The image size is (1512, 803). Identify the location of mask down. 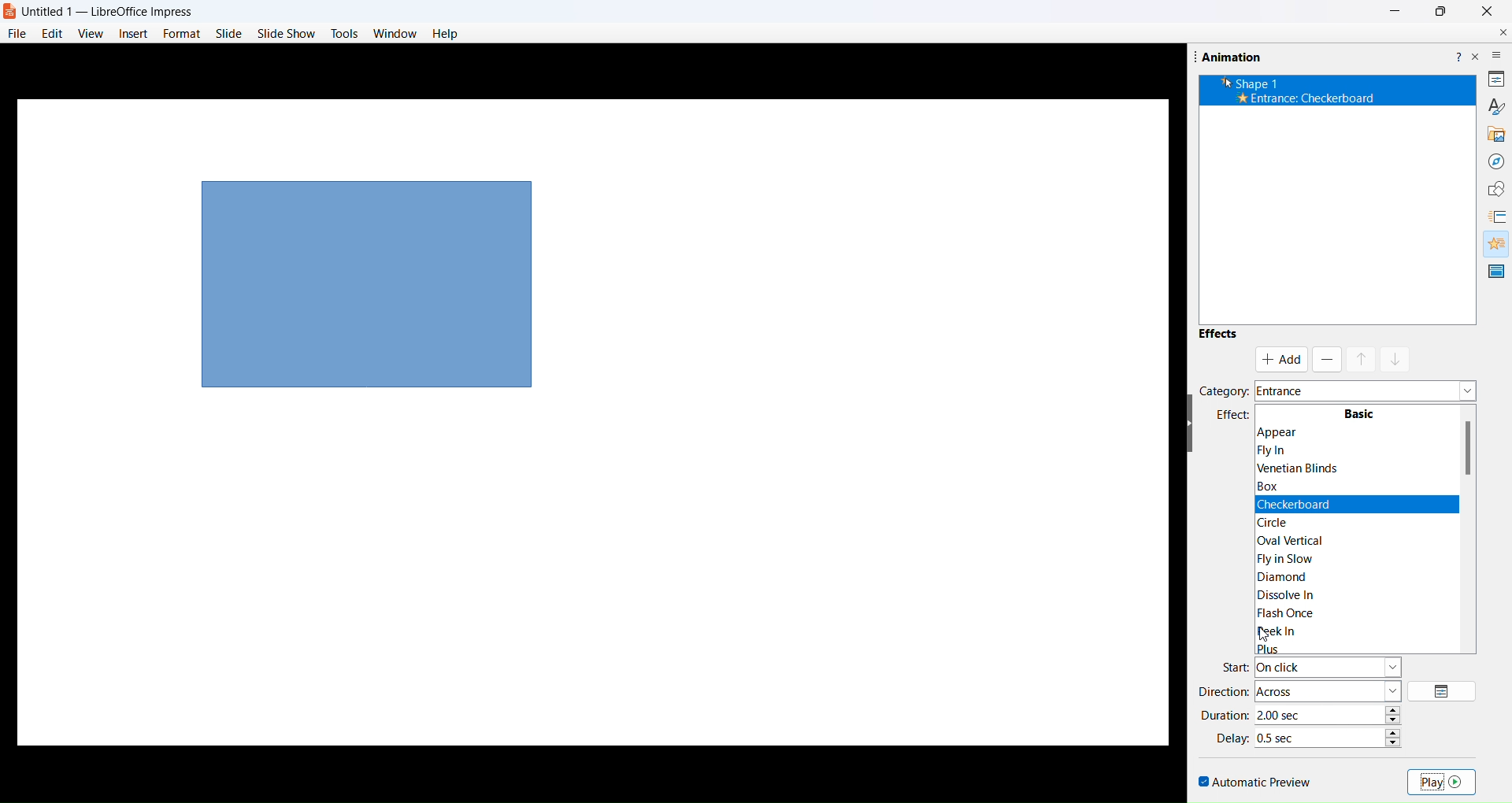
(1399, 358).